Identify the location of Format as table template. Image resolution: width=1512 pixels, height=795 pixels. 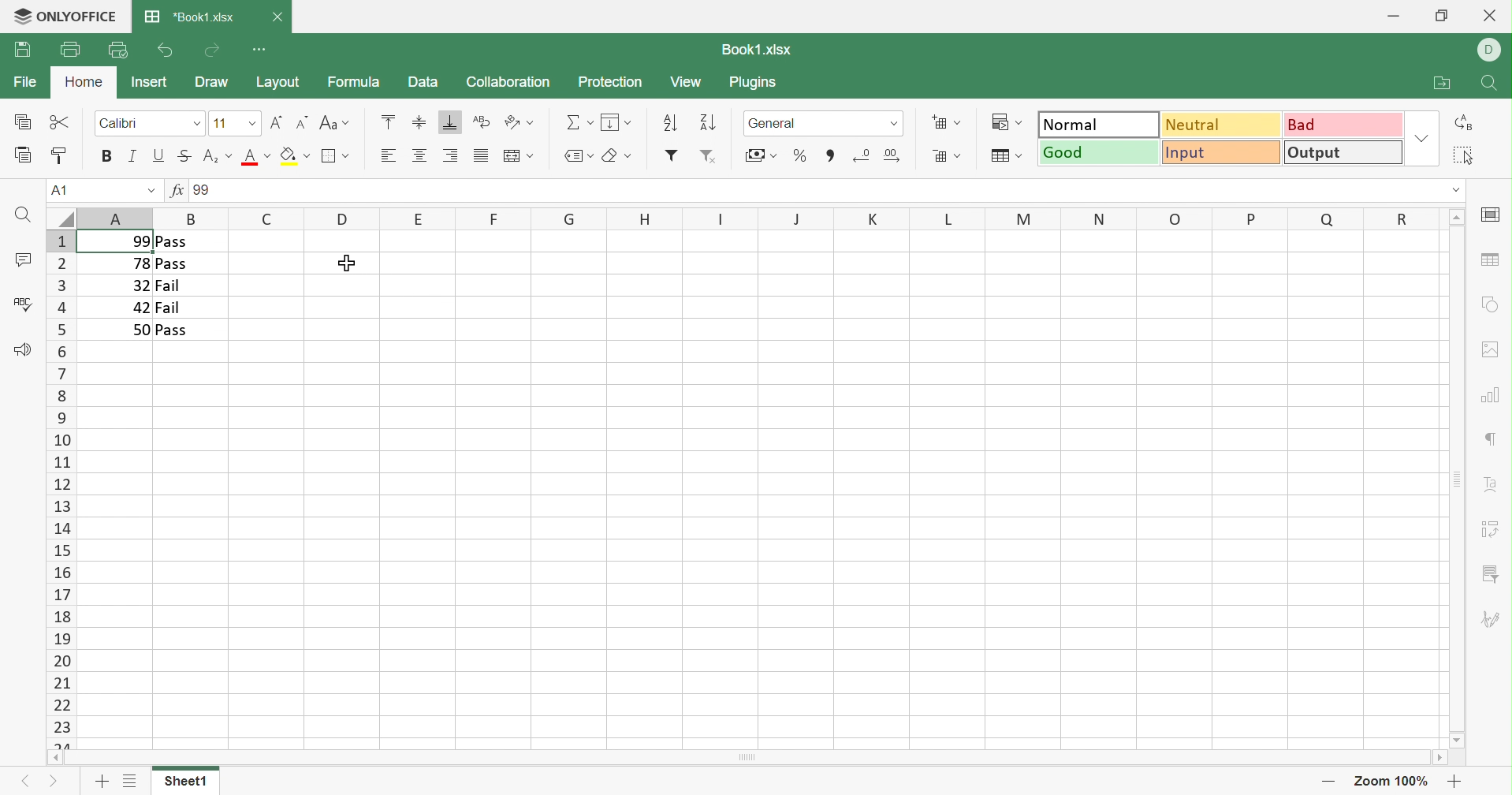
(1004, 156).